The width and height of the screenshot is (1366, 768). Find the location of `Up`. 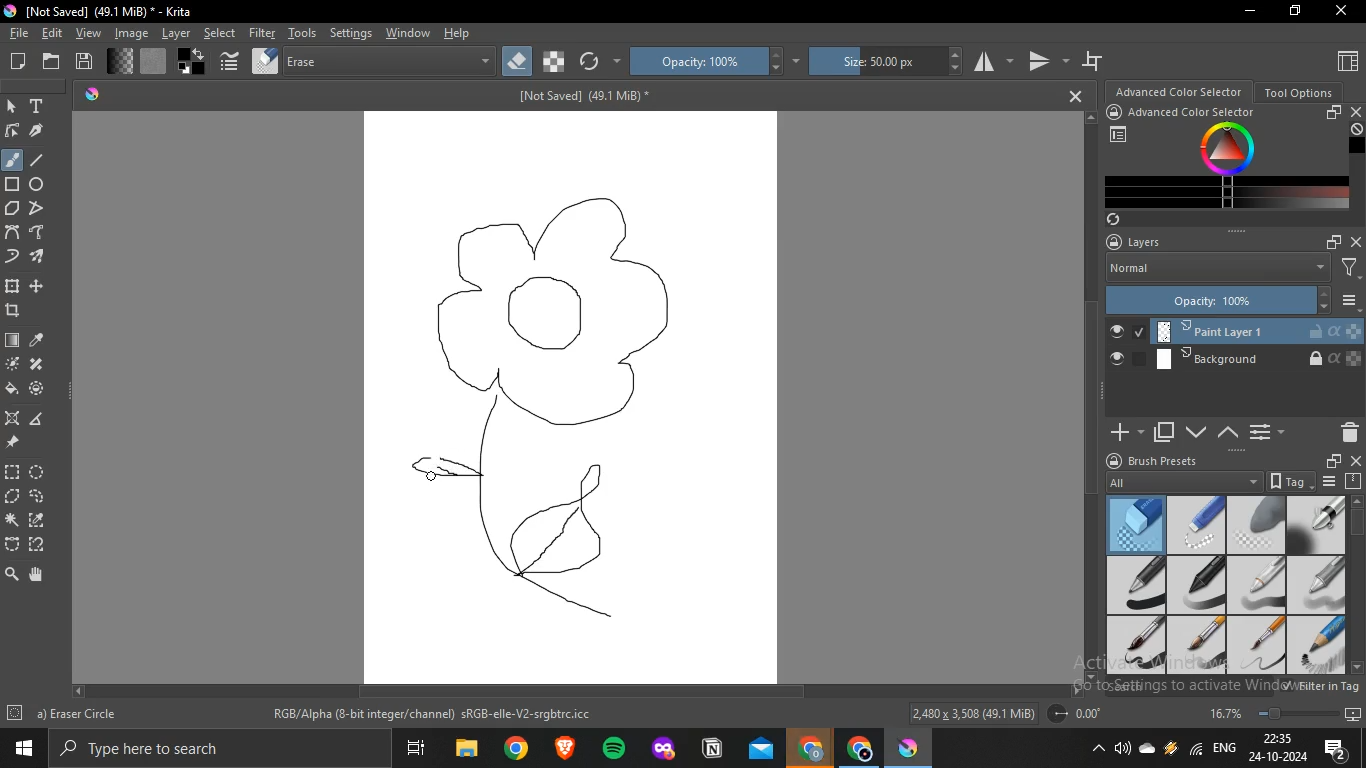

Up is located at coordinates (1357, 498).